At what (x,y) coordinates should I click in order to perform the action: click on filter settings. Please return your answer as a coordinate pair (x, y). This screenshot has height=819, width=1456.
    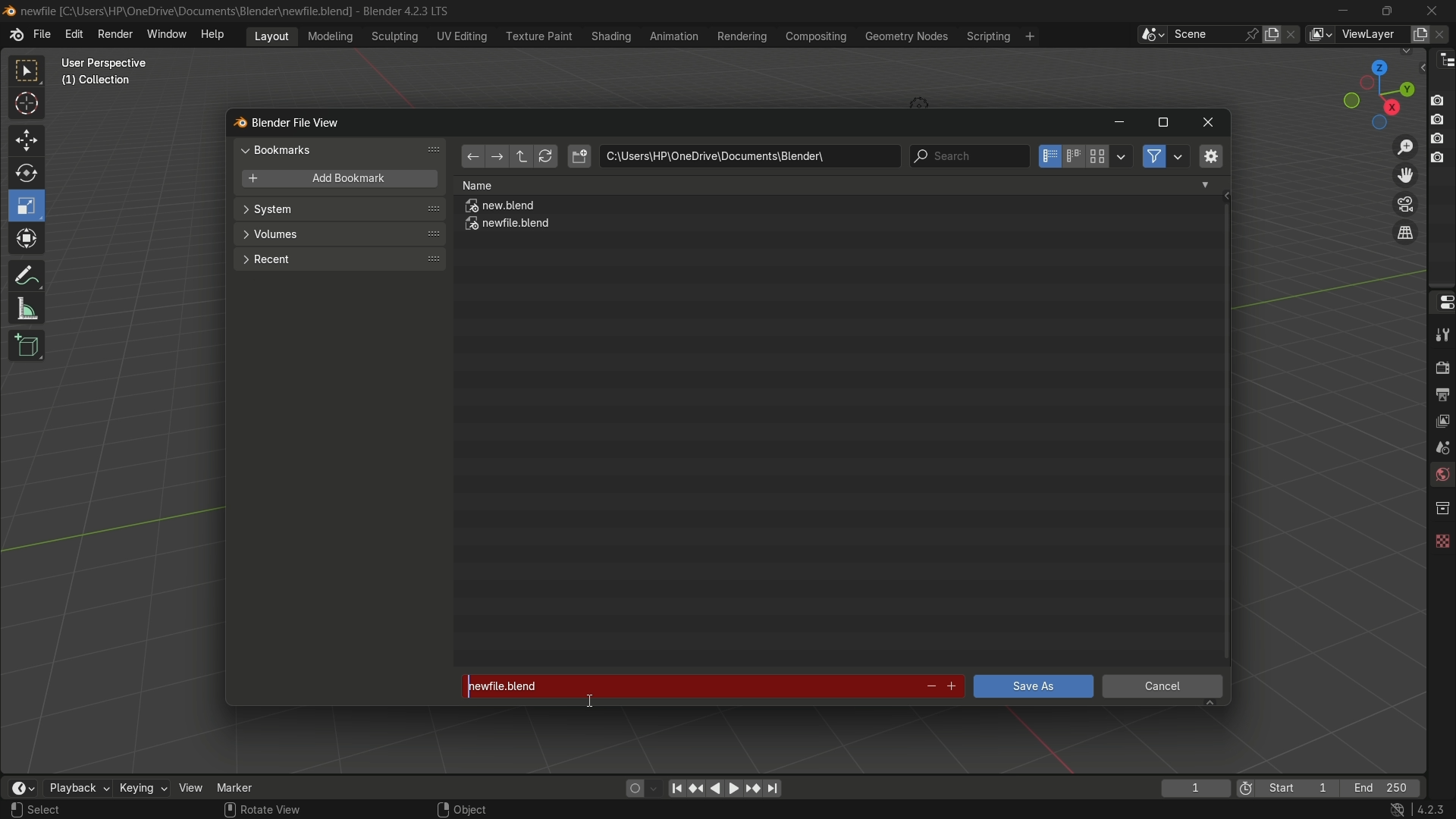
    Looking at the image, I should click on (1179, 156).